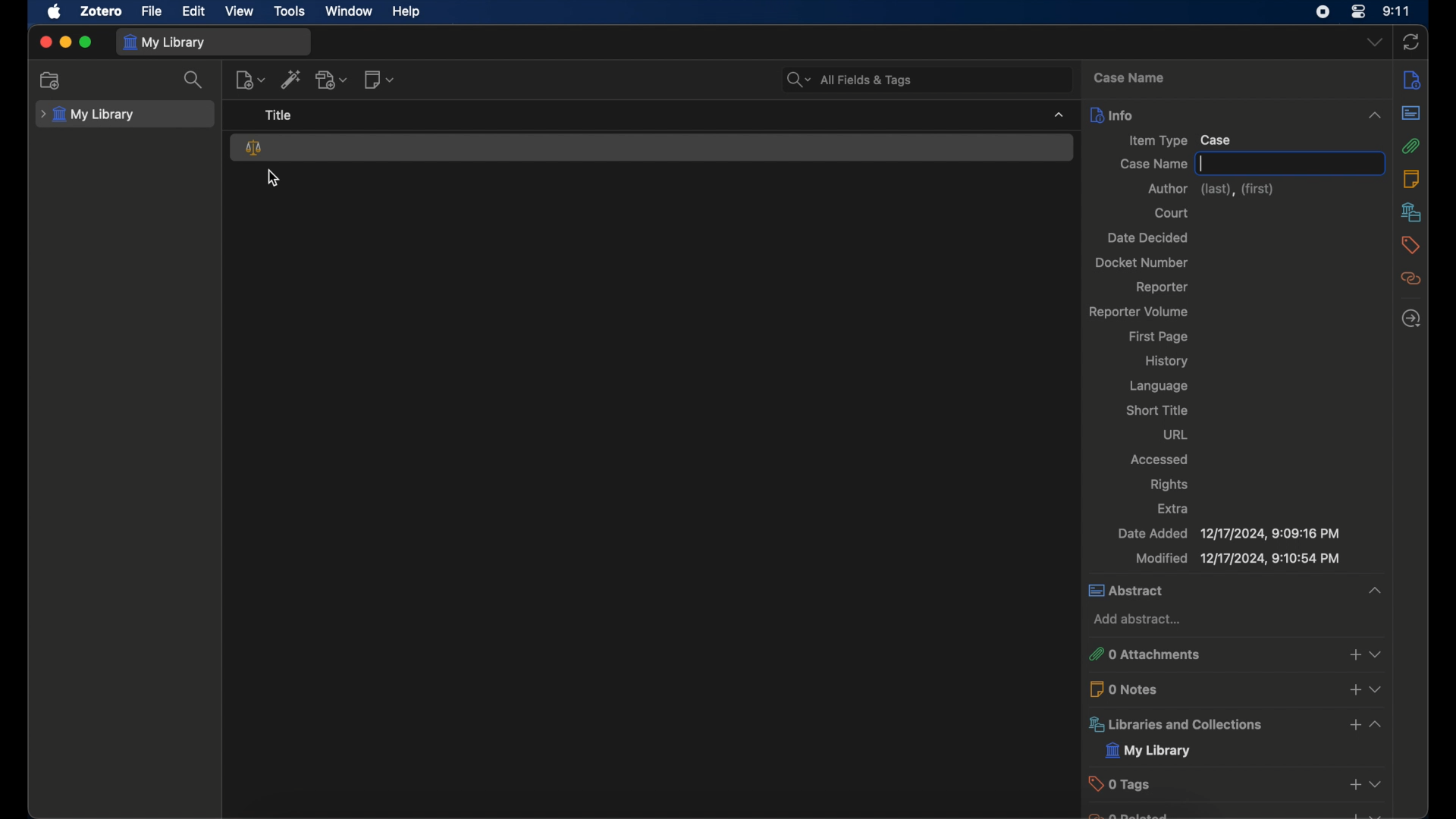 Image resolution: width=1456 pixels, height=819 pixels. I want to click on cursor , so click(273, 178).